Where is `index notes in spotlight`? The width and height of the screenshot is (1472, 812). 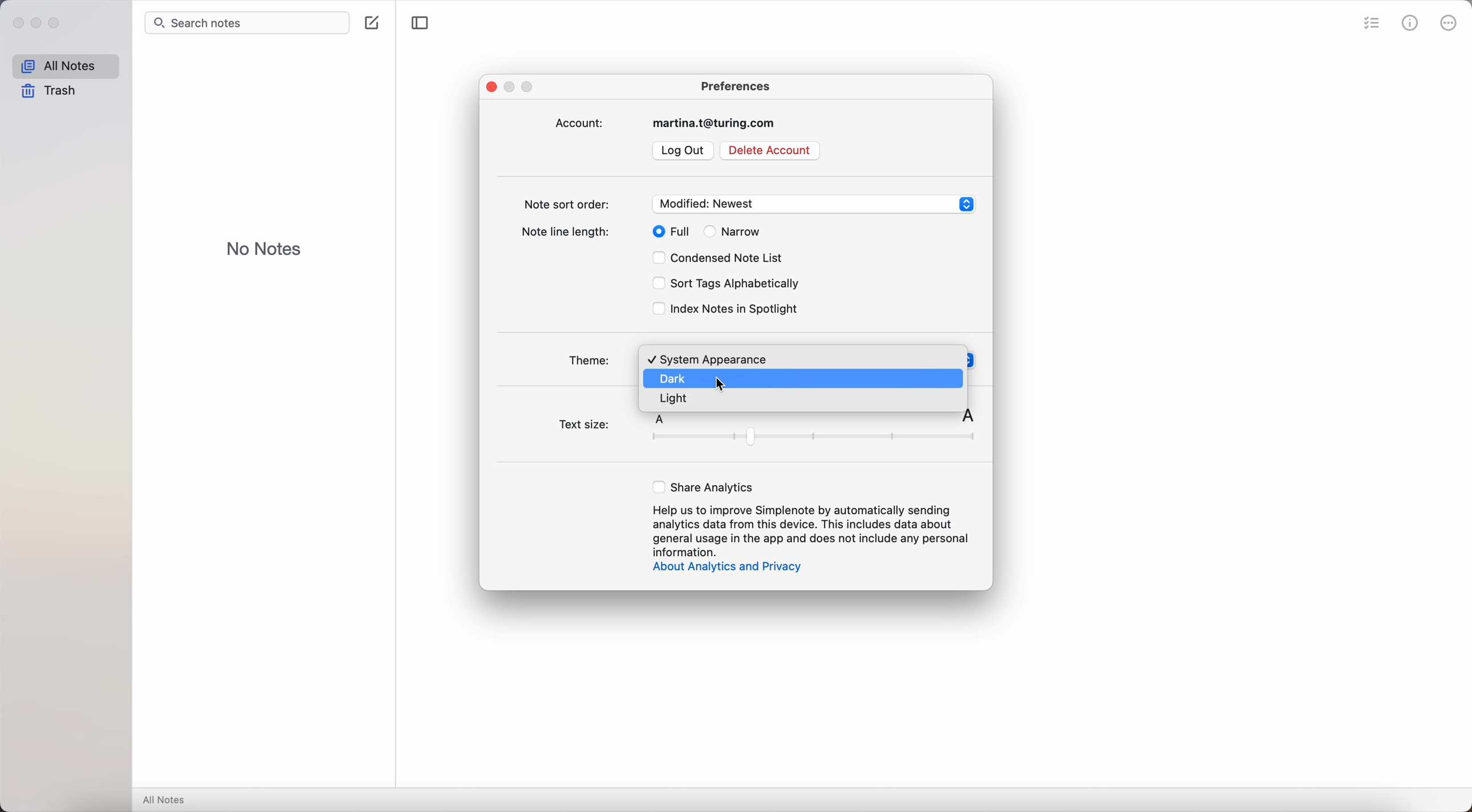
index notes in spotlight is located at coordinates (726, 309).